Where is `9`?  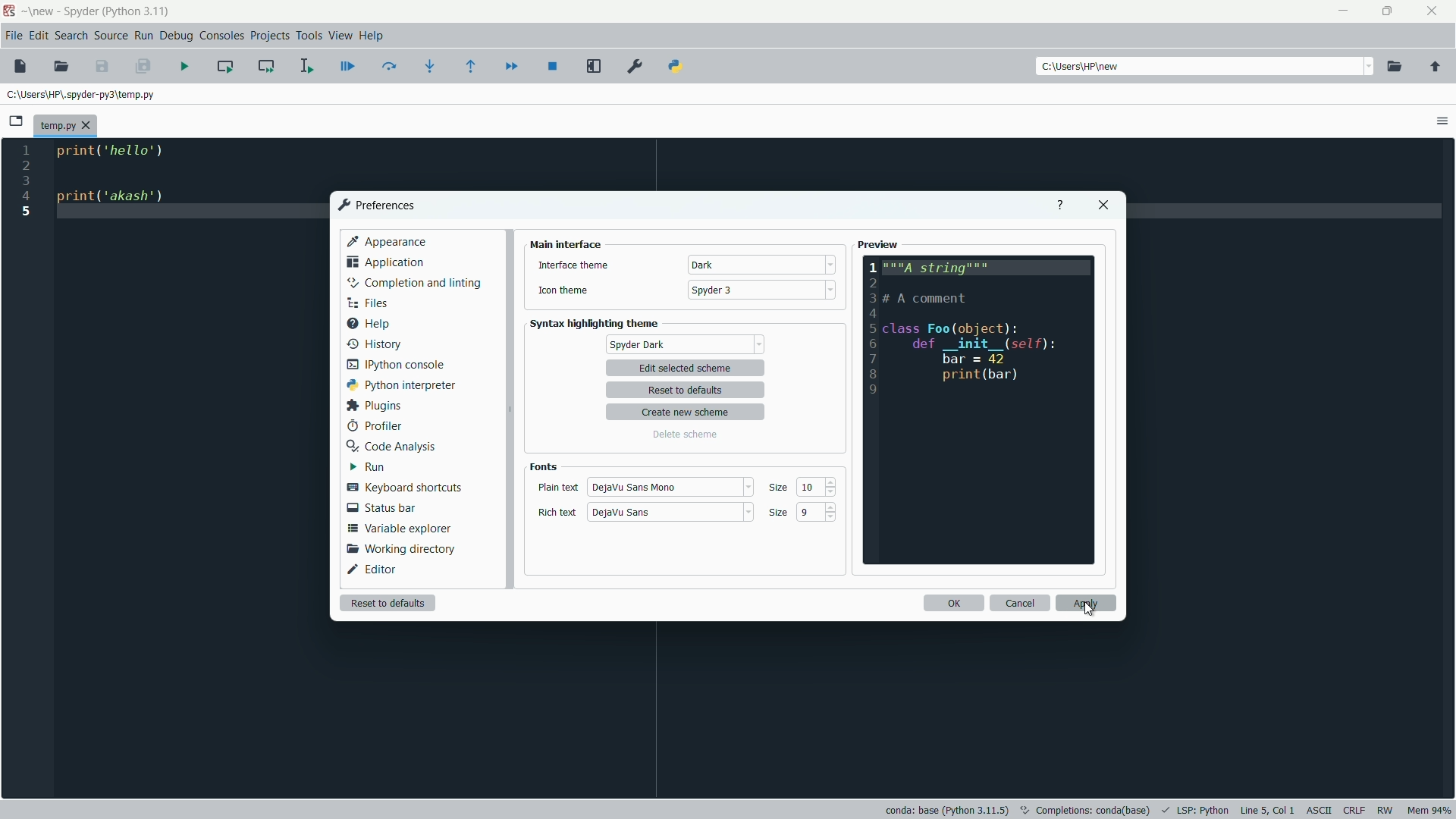
9 is located at coordinates (809, 513).